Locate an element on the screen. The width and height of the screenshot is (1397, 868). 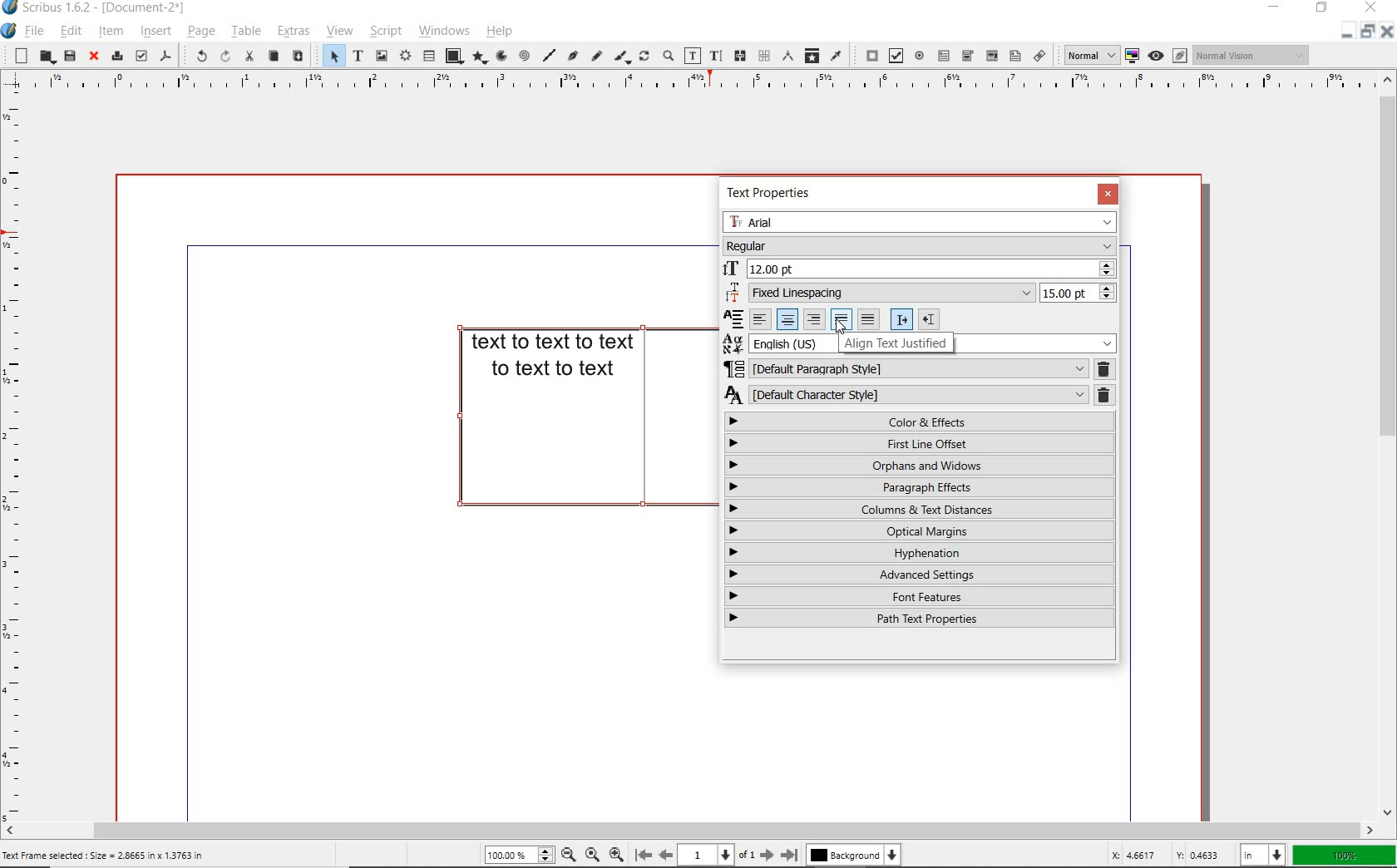
link annotation is located at coordinates (1038, 55).